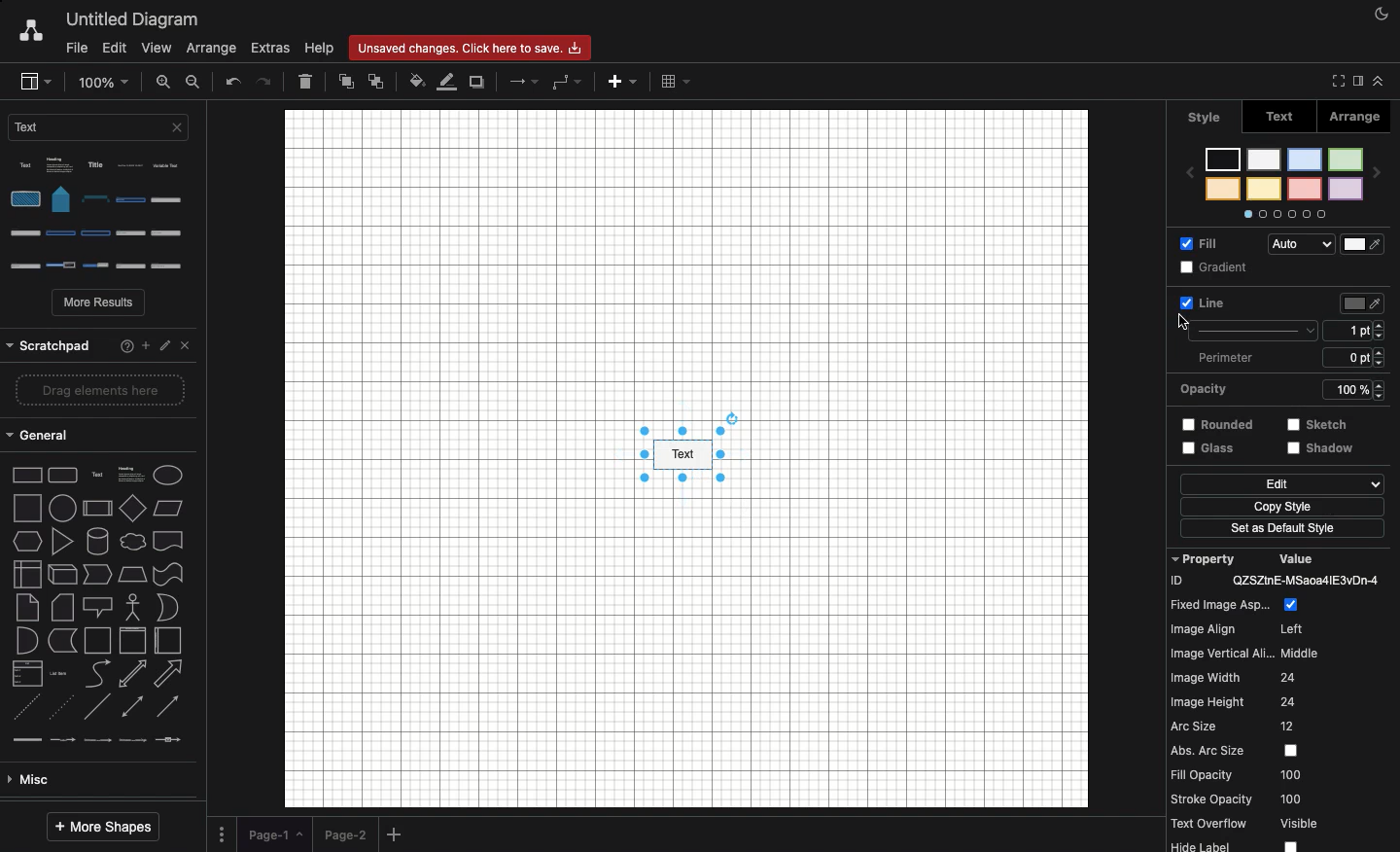 The height and width of the screenshot is (852, 1400). Describe the element at coordinates (319, 49) in the screenshot. I see `Help` at that location.